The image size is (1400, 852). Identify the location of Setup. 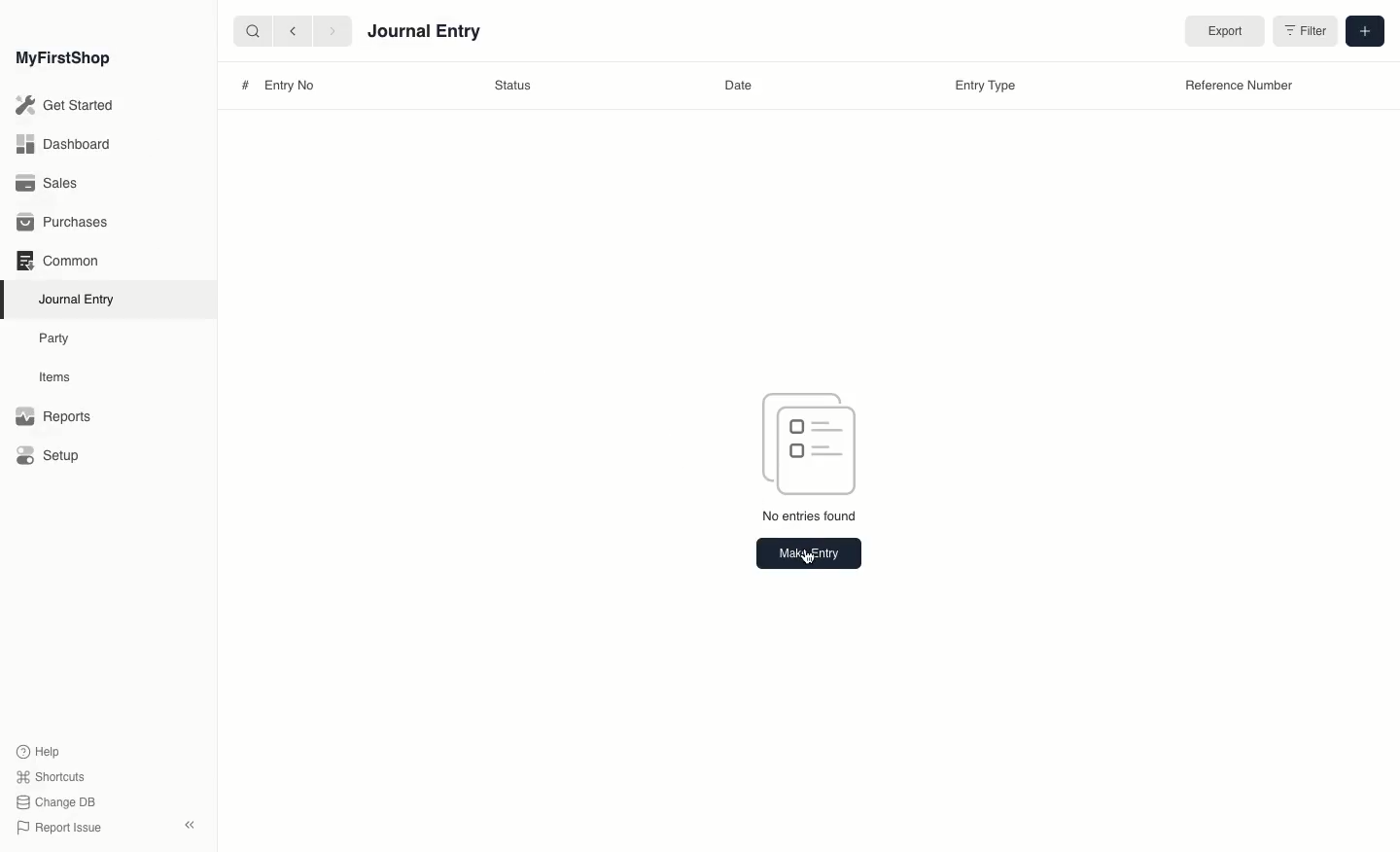
(50, 457).